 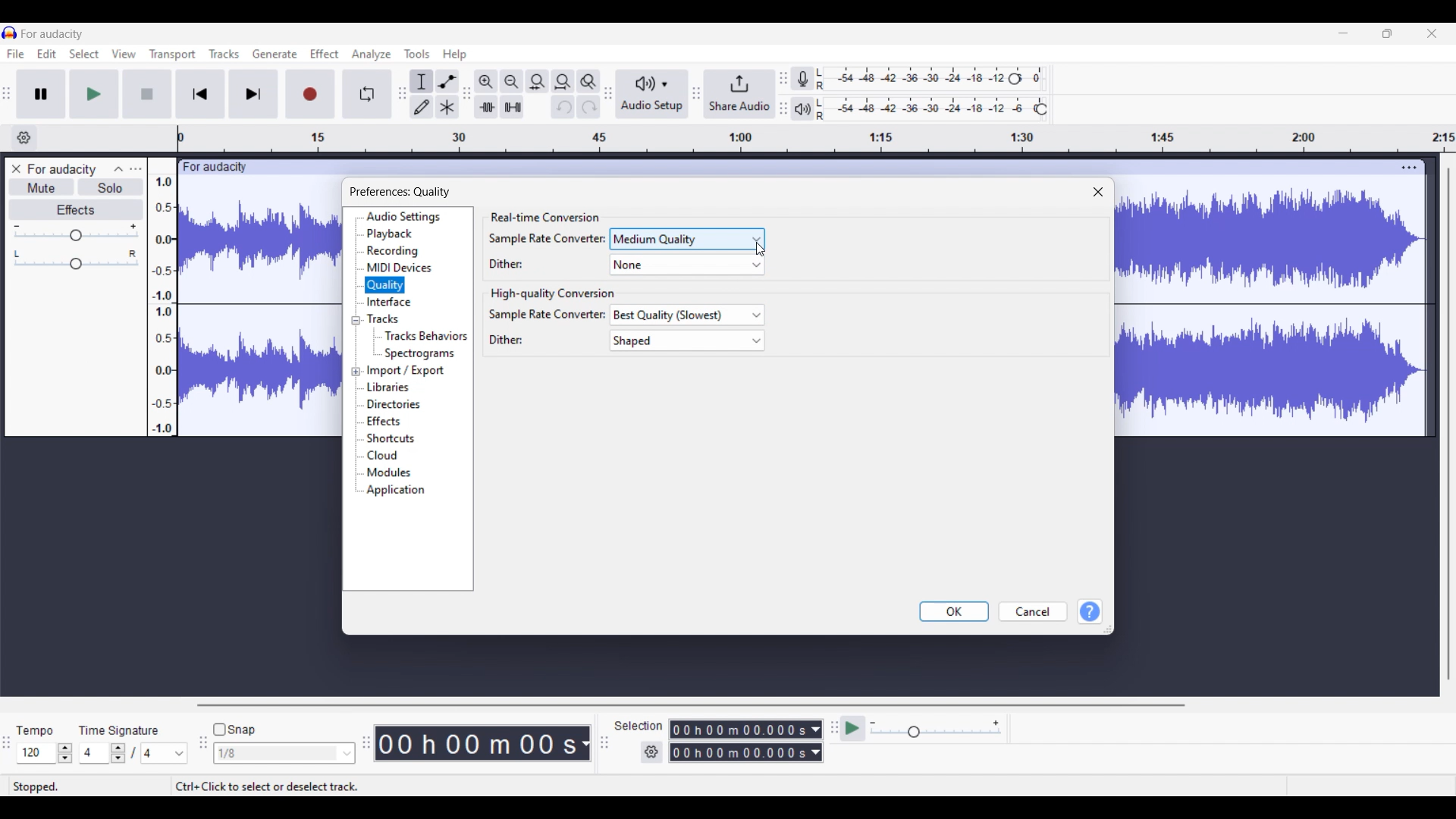 What do you see at coordinates (852, 728) in the screenshot?
I see `Play at speed/Play at speed once` at bounding box center [852, 728].